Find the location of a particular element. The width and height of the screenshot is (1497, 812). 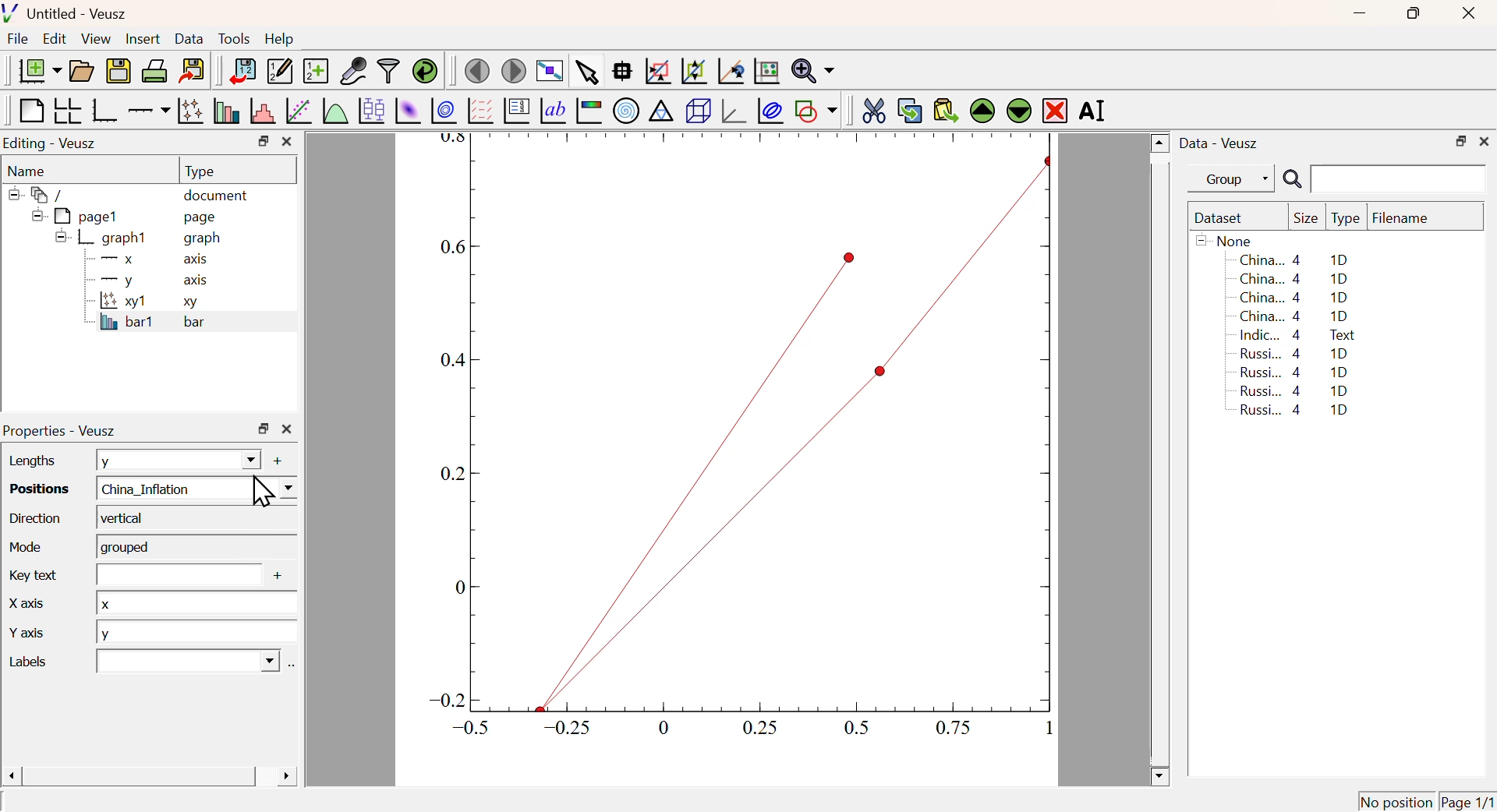

Read Data points on graph is located at coordinates (622, 70).